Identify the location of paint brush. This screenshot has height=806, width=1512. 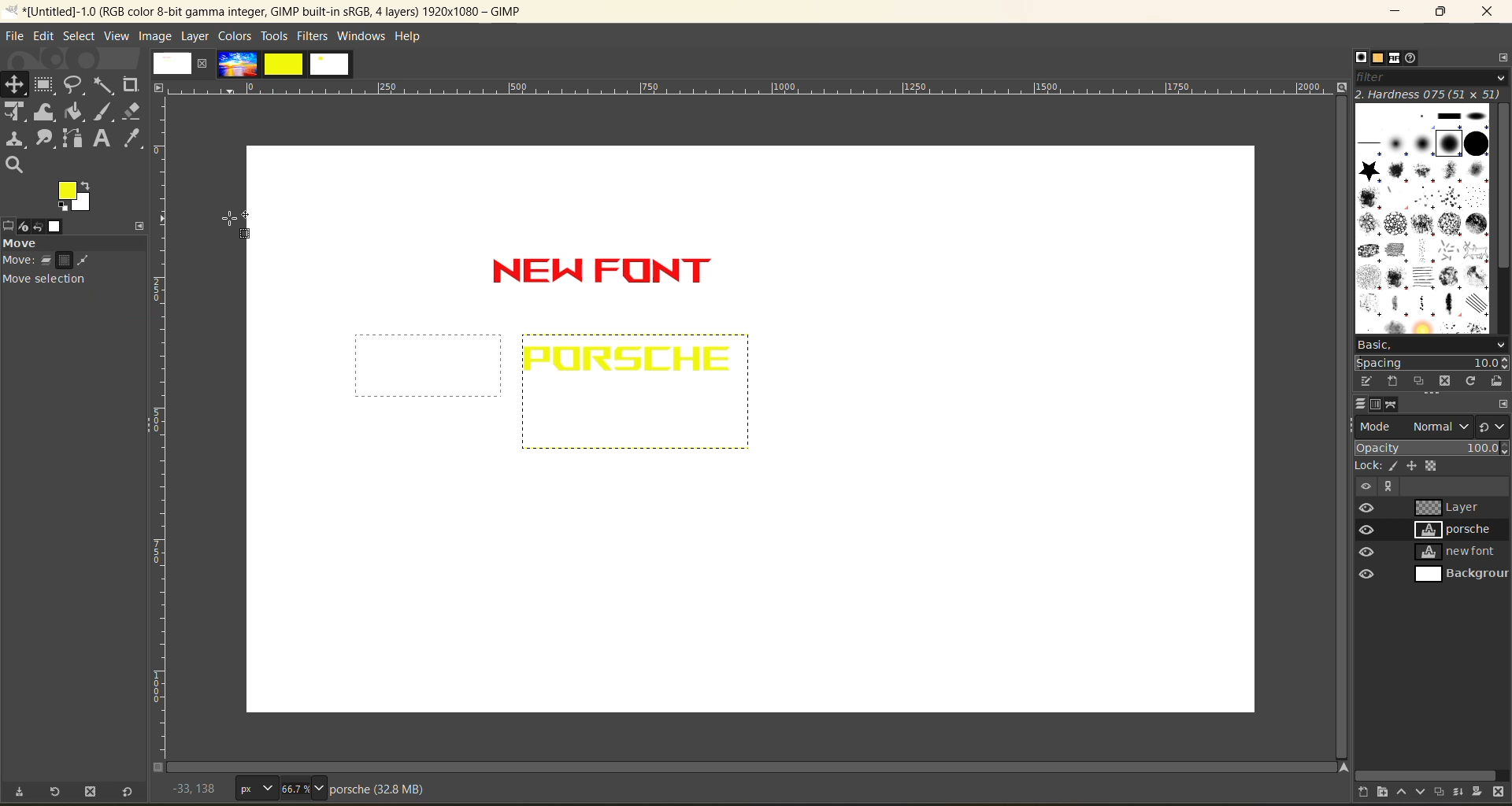
(105, 114).